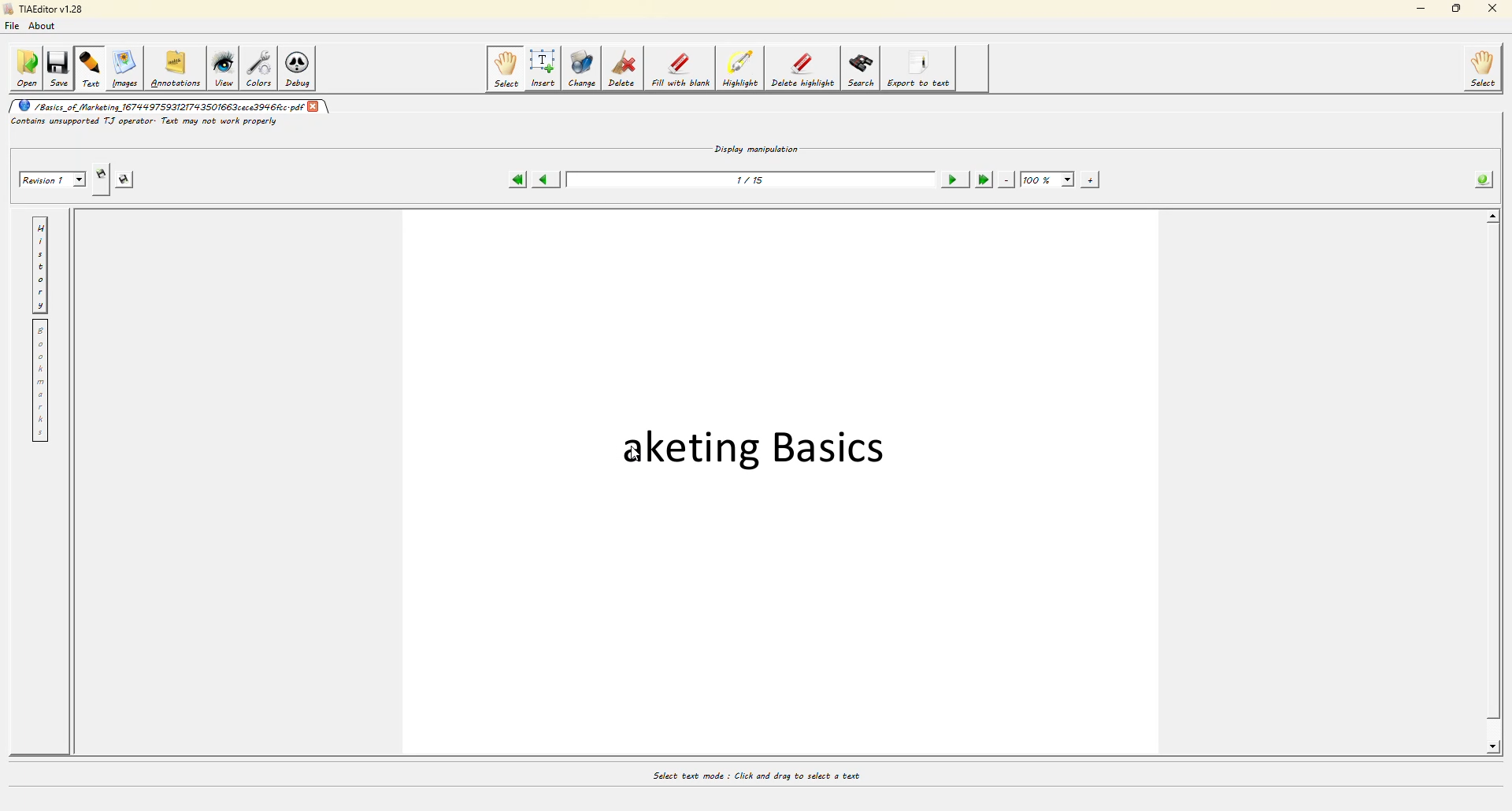  What do you see at coordinates (39, 381) in the screenshot?
I see `bookmarks` at bounding box center [39, 381].